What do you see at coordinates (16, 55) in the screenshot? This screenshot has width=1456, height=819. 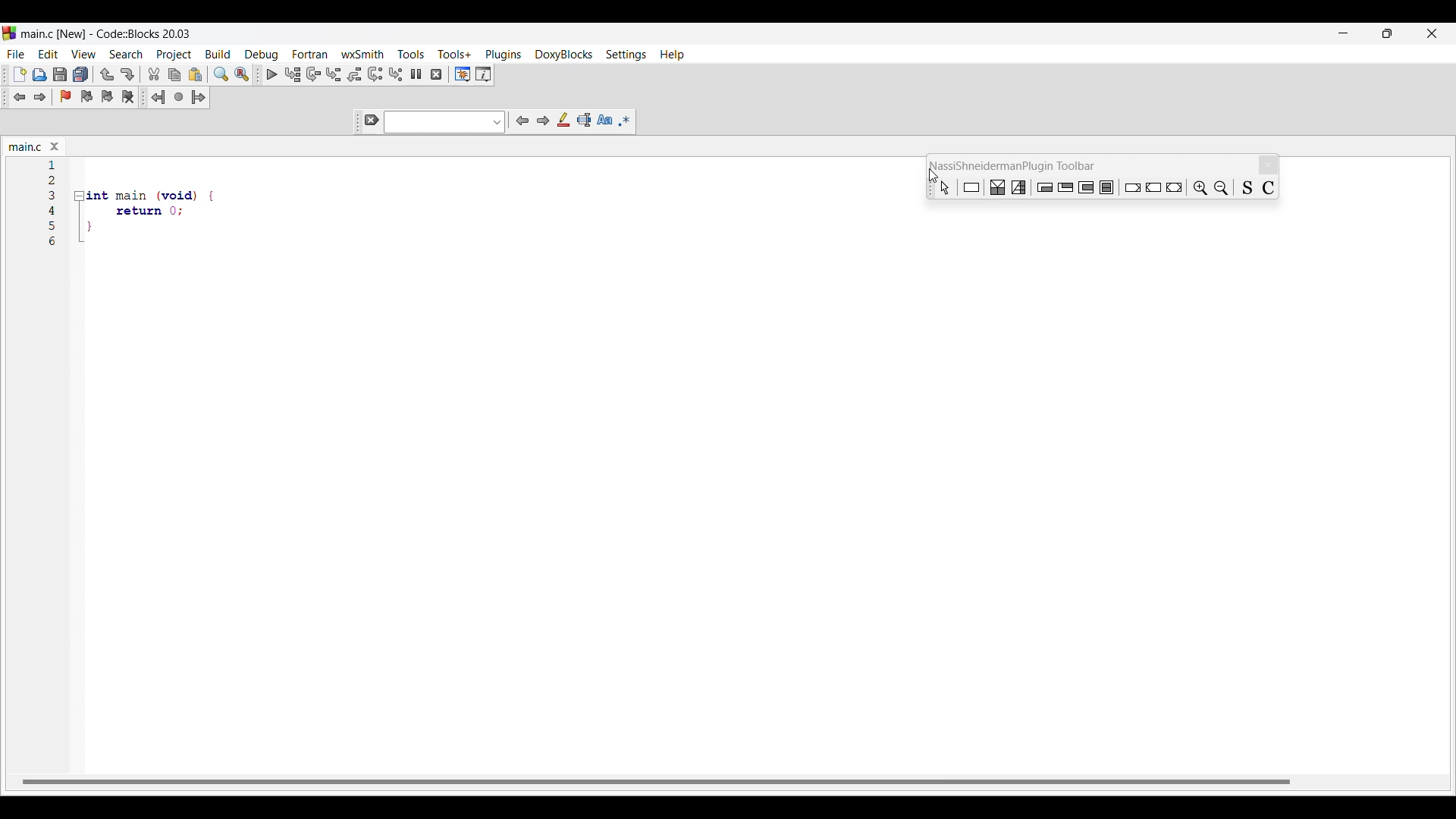 I see `File menu` at bounding box center [16, 55].